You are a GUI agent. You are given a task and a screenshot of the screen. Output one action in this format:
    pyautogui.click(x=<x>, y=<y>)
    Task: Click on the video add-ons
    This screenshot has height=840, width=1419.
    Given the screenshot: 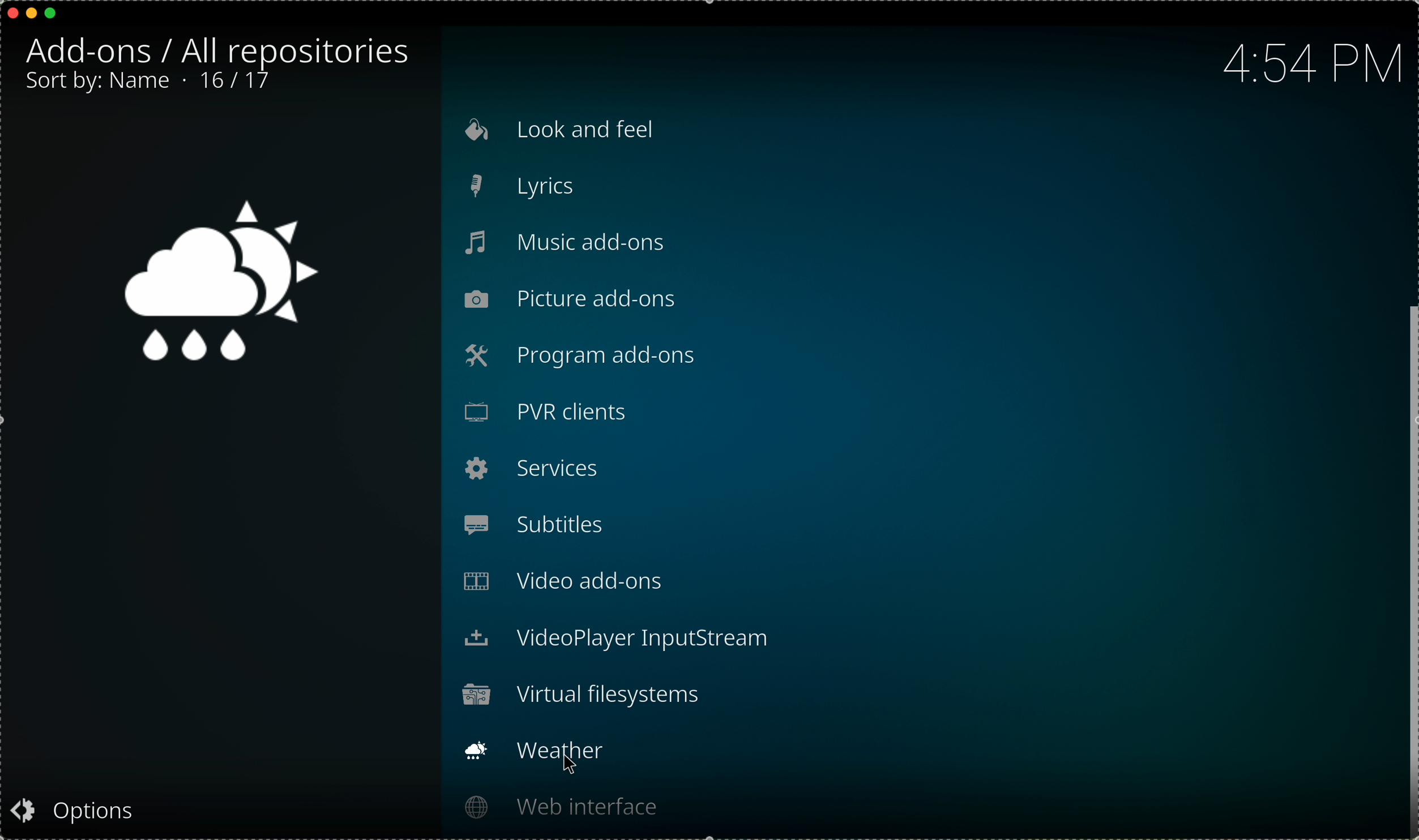 What is the action you would take?
    pyautogui.click(x=567, y=581)
    